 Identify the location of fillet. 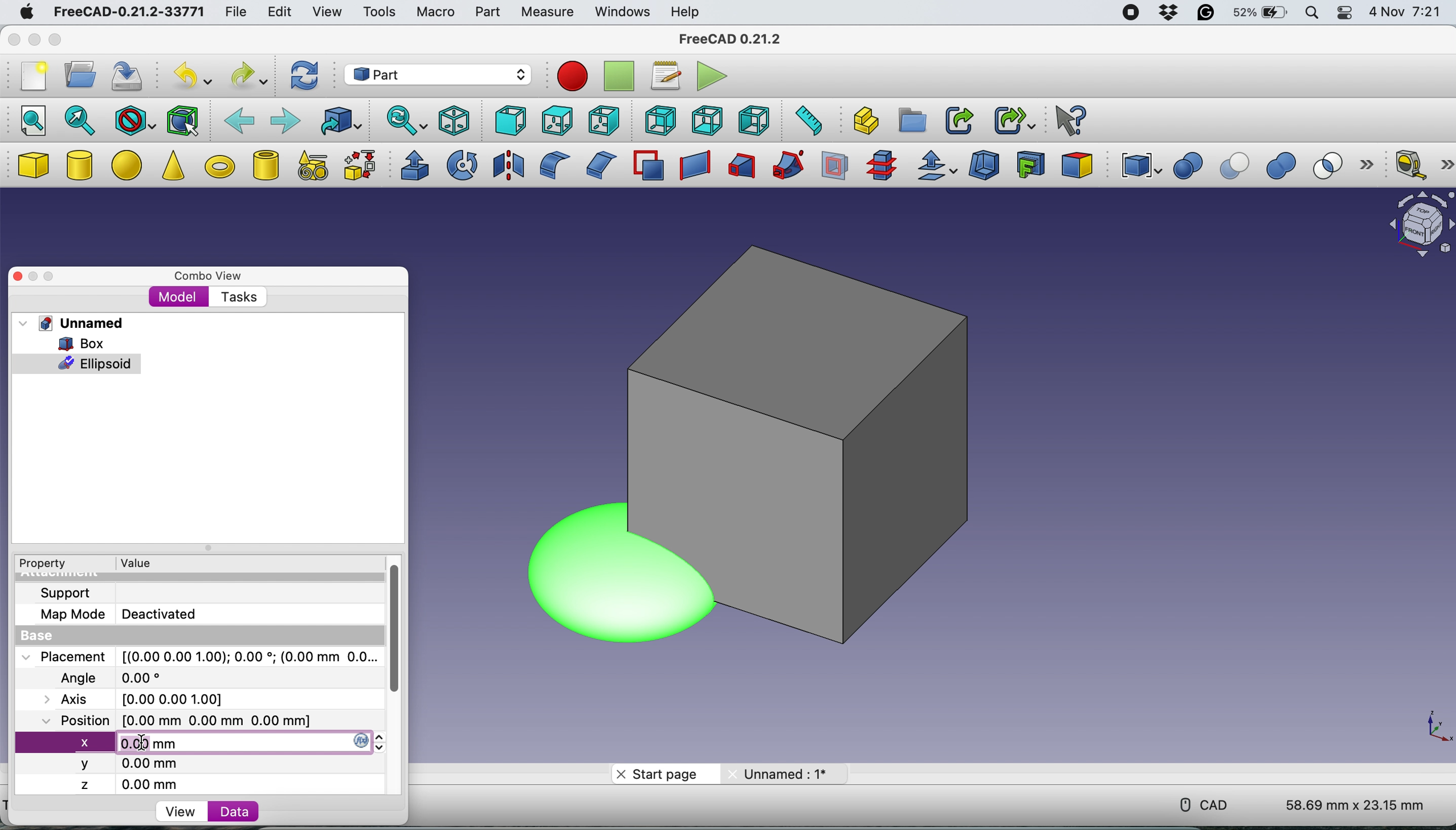
(550, 165).